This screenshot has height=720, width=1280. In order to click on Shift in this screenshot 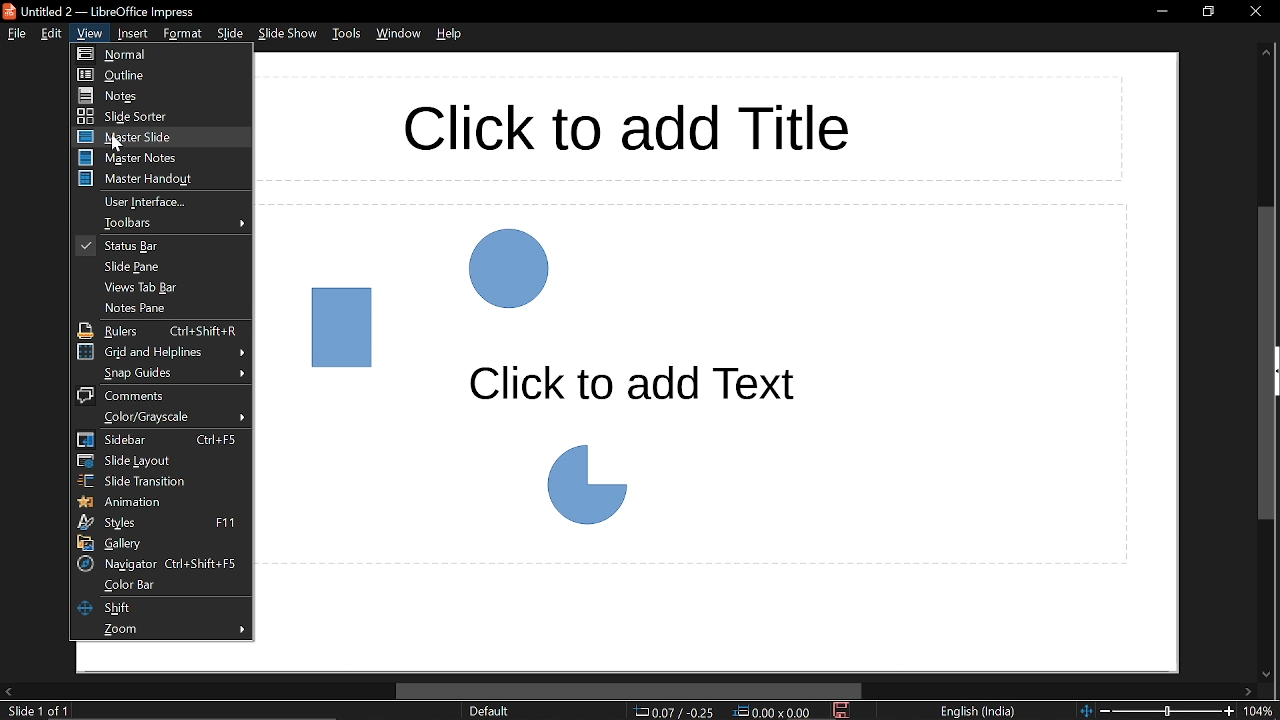, I will do `click(157, 608)`.